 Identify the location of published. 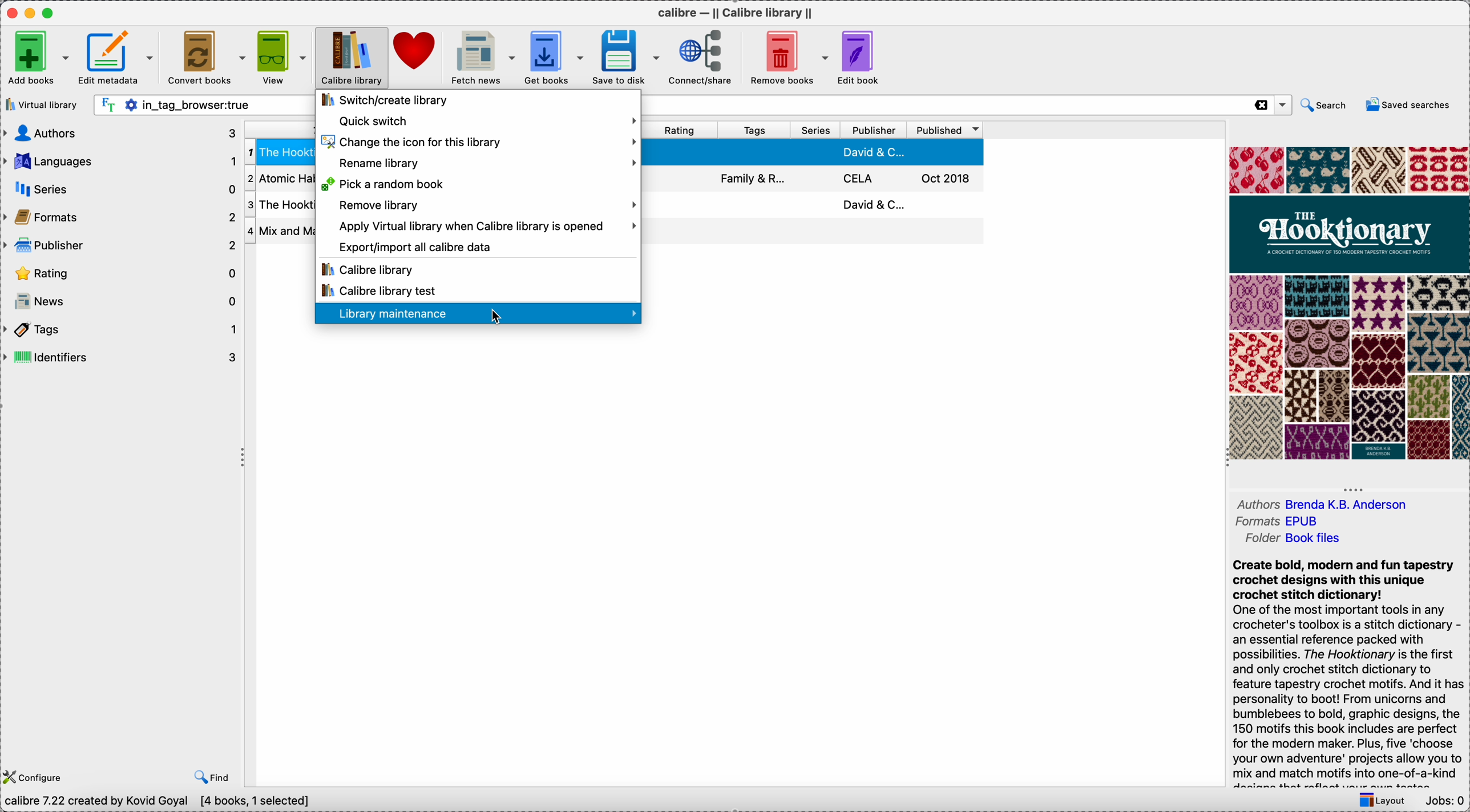
(946, 131).